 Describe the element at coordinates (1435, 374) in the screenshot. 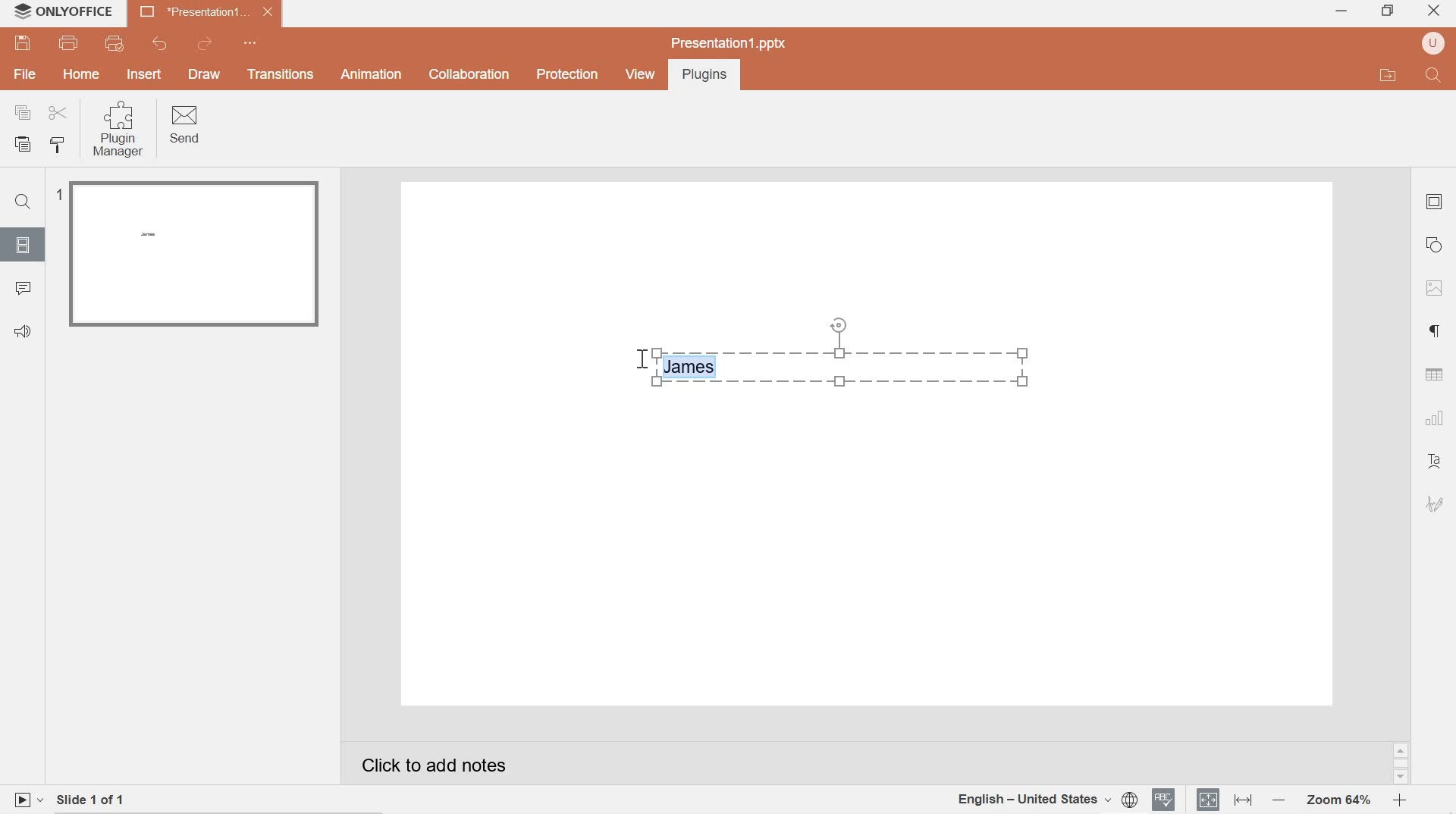

I see `table` at that location.